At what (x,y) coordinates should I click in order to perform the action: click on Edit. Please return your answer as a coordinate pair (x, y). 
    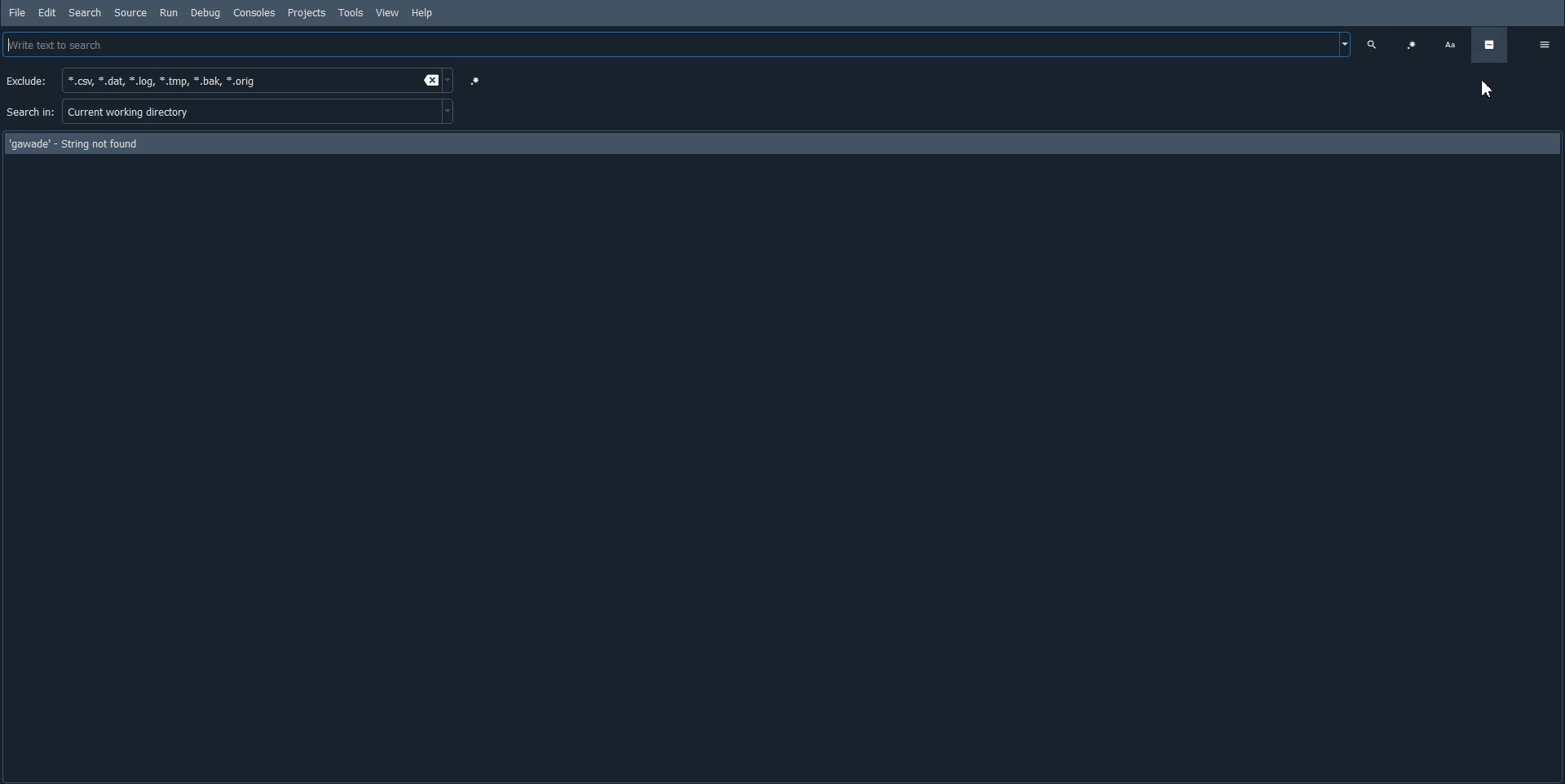
    Looking at the image, I should click on (46, 11).